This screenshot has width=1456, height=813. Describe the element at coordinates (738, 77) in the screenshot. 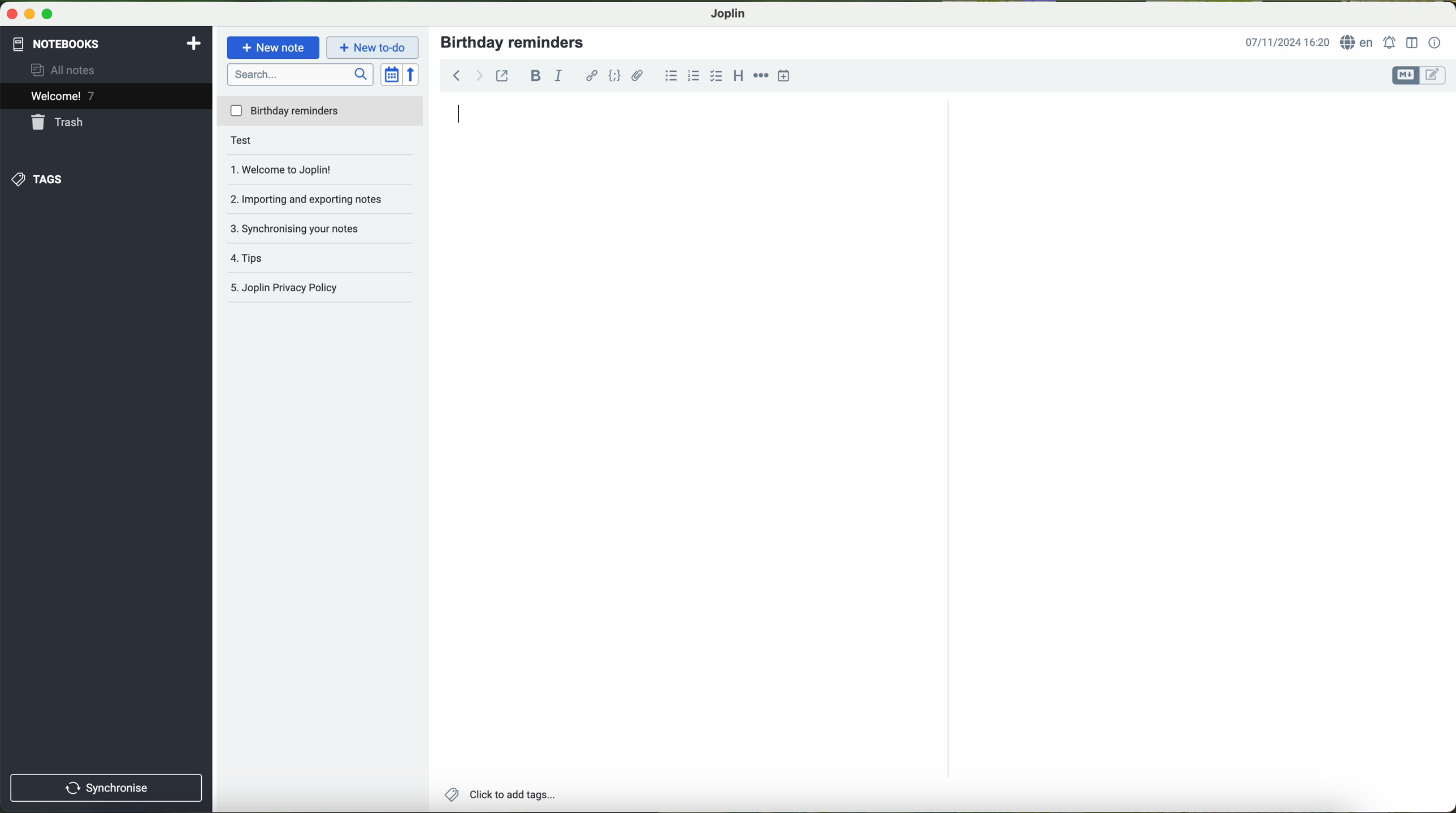

I see `heading` at that location.